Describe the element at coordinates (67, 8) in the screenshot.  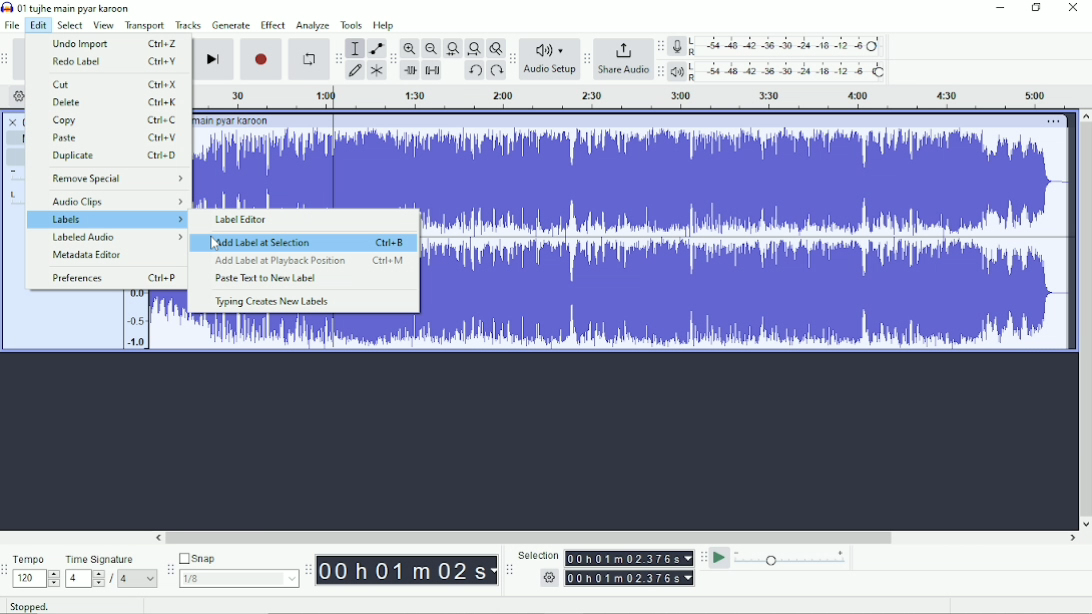
I see `Title` at that location.